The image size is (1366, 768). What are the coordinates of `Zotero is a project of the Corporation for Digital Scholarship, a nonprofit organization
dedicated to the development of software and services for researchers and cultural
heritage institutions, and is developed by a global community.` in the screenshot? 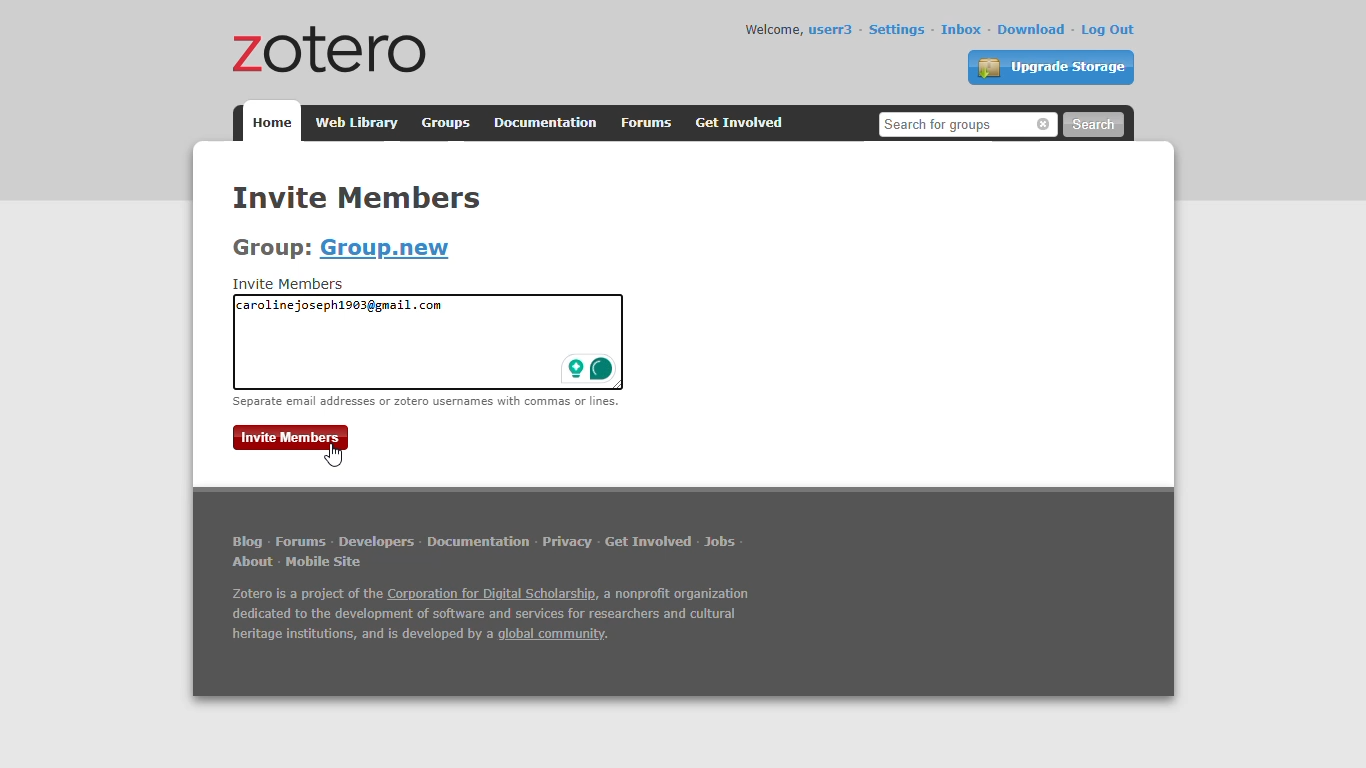 It's located at (499, 618).